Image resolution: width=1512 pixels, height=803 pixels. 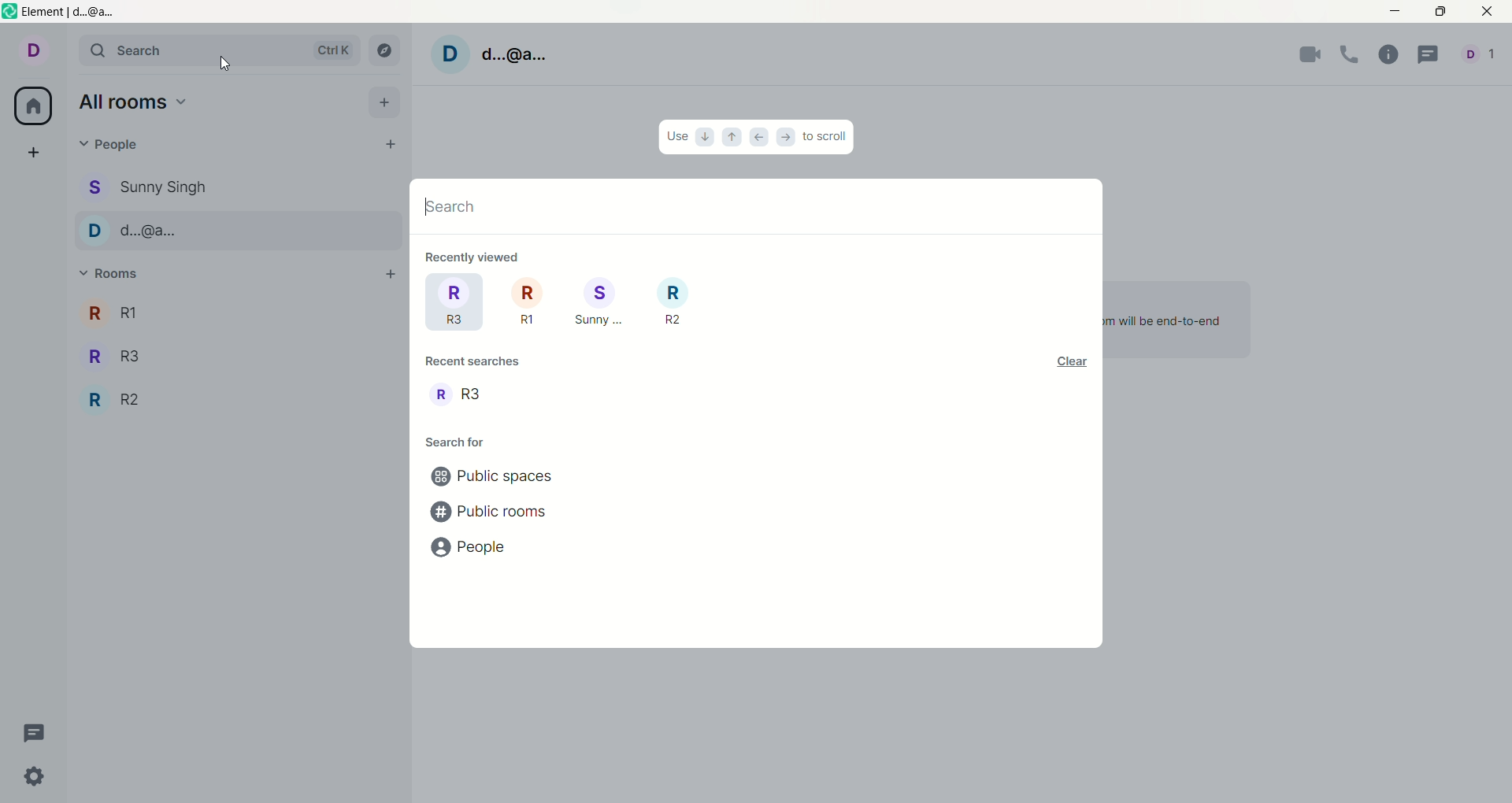 What do you see at coordinates (480, 366) in the screenshot?
I see `recent searches` at bounding box center [480, 366].